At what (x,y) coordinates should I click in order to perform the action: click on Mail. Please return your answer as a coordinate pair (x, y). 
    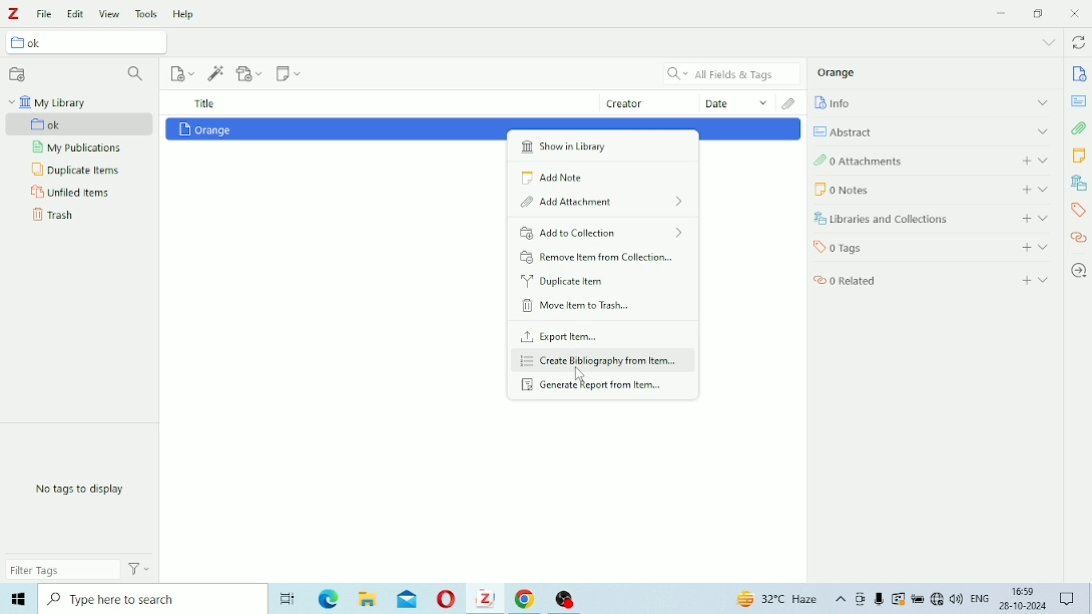
    Looking at the image, I should click on (407, 599).